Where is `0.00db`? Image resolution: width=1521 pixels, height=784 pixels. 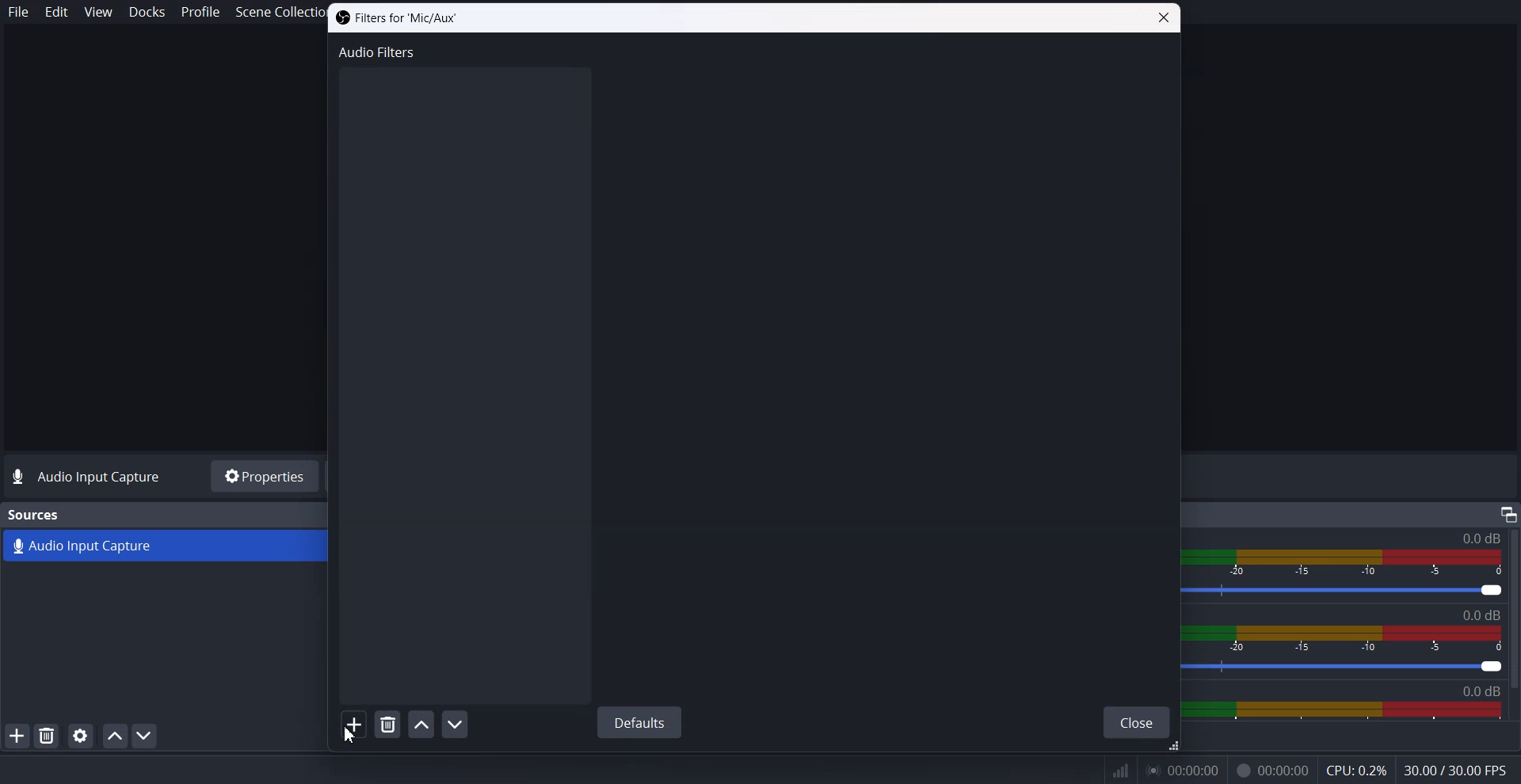
0.00db is located at coordinates (1492, 691).